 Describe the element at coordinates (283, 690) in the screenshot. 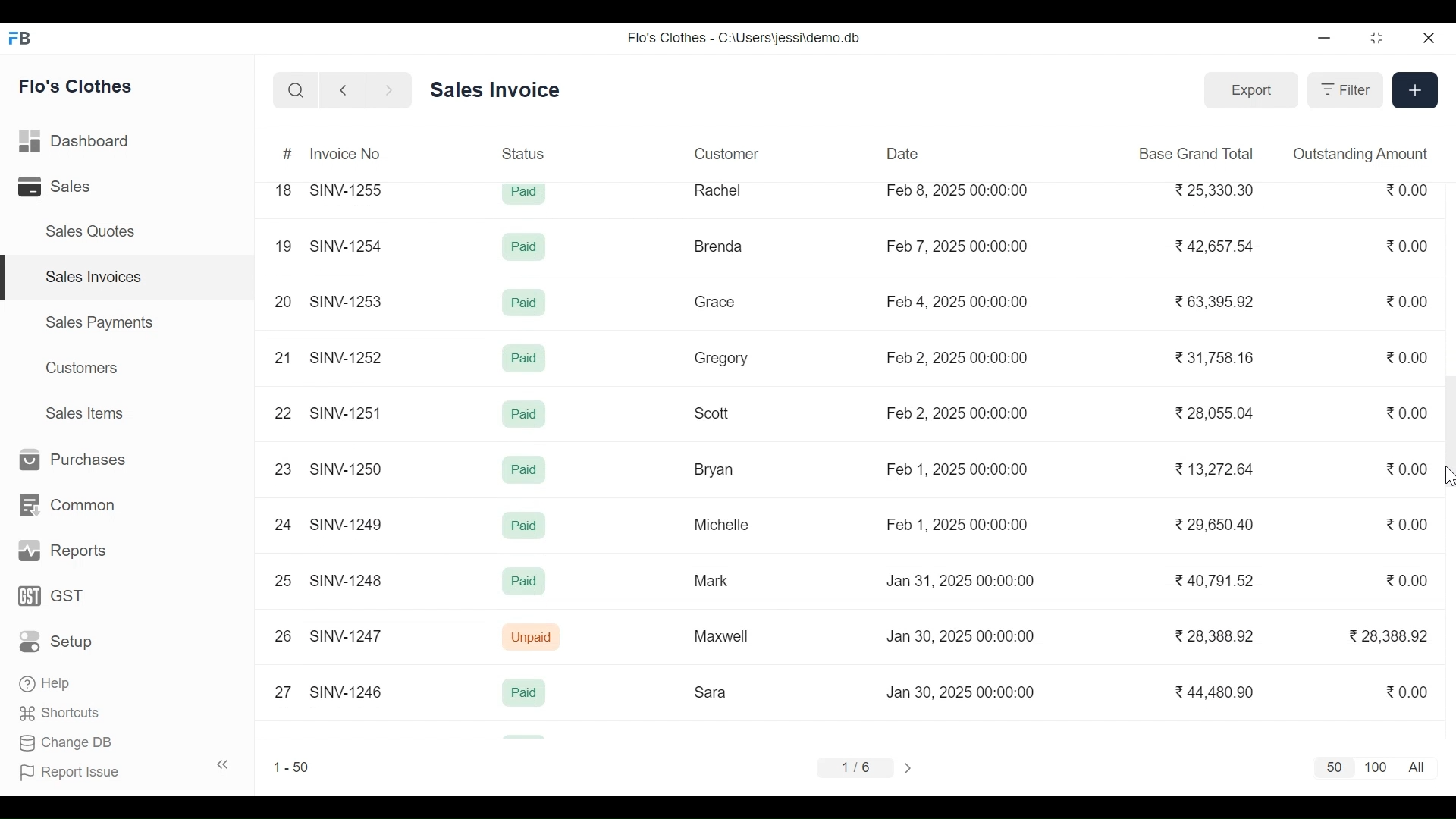

I see `27` at that location.